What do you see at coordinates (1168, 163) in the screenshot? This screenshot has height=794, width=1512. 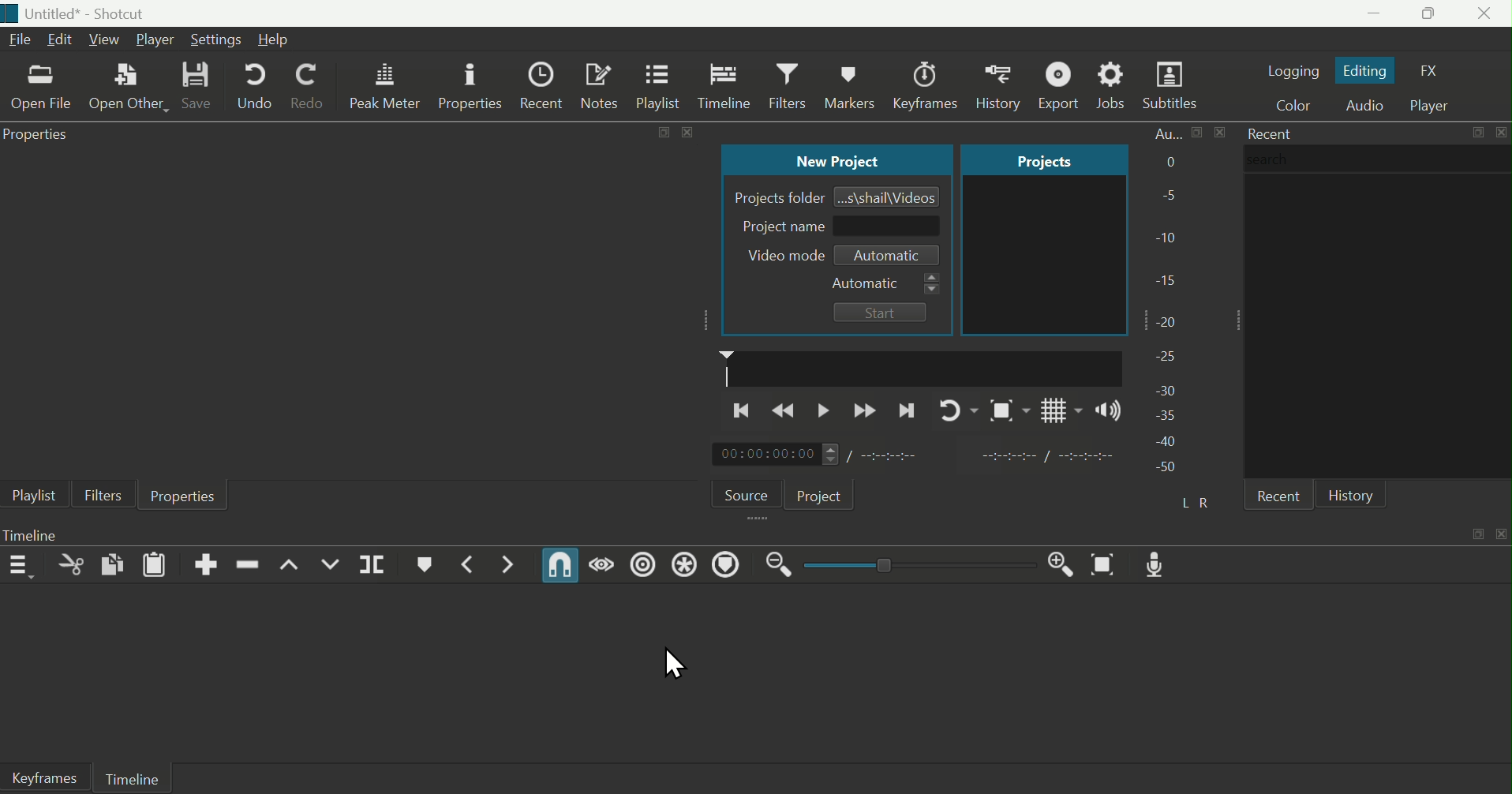 I see `0` at bounding box center [1168, 163].